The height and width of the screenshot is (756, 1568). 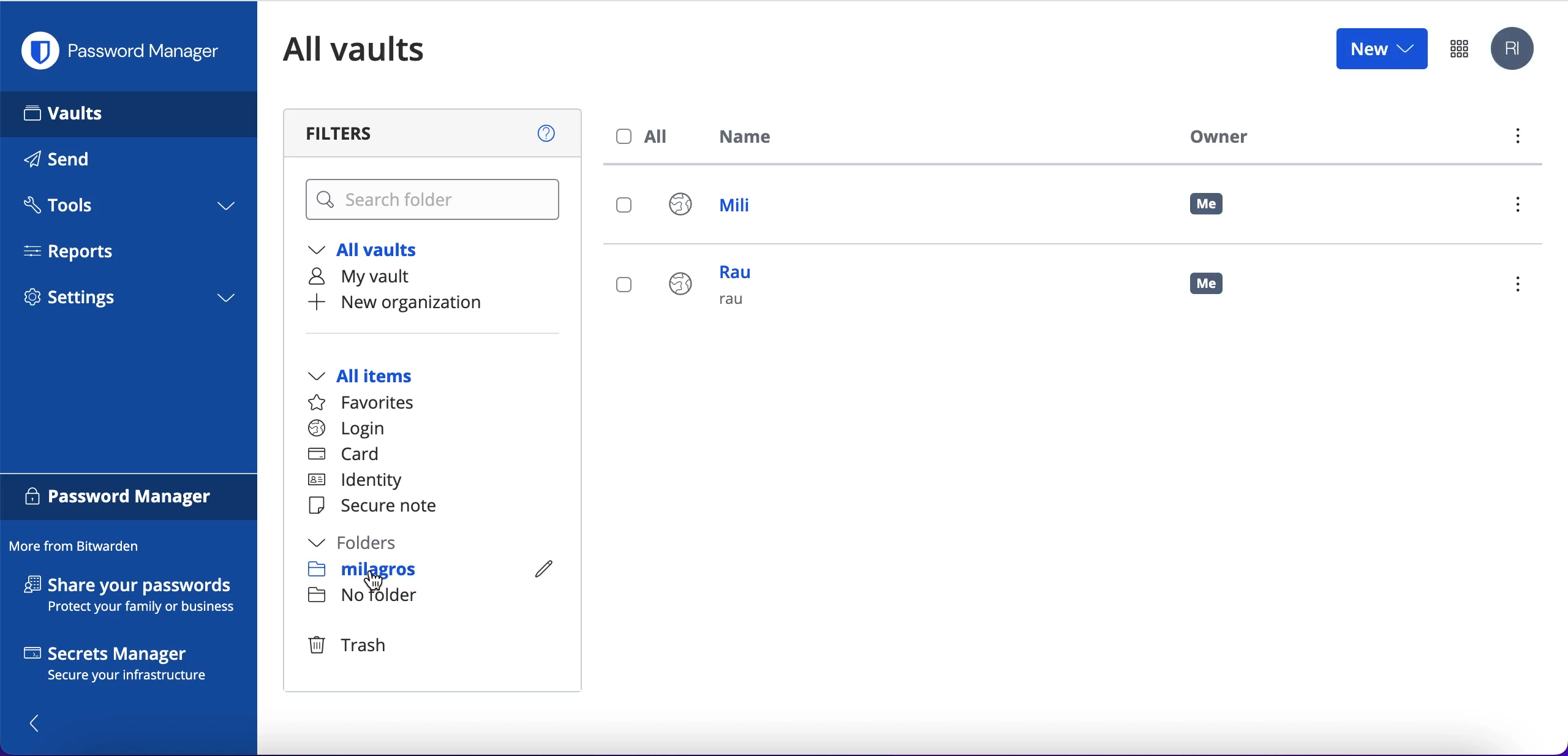 I want to click on account, so click(x=1515, y=50).